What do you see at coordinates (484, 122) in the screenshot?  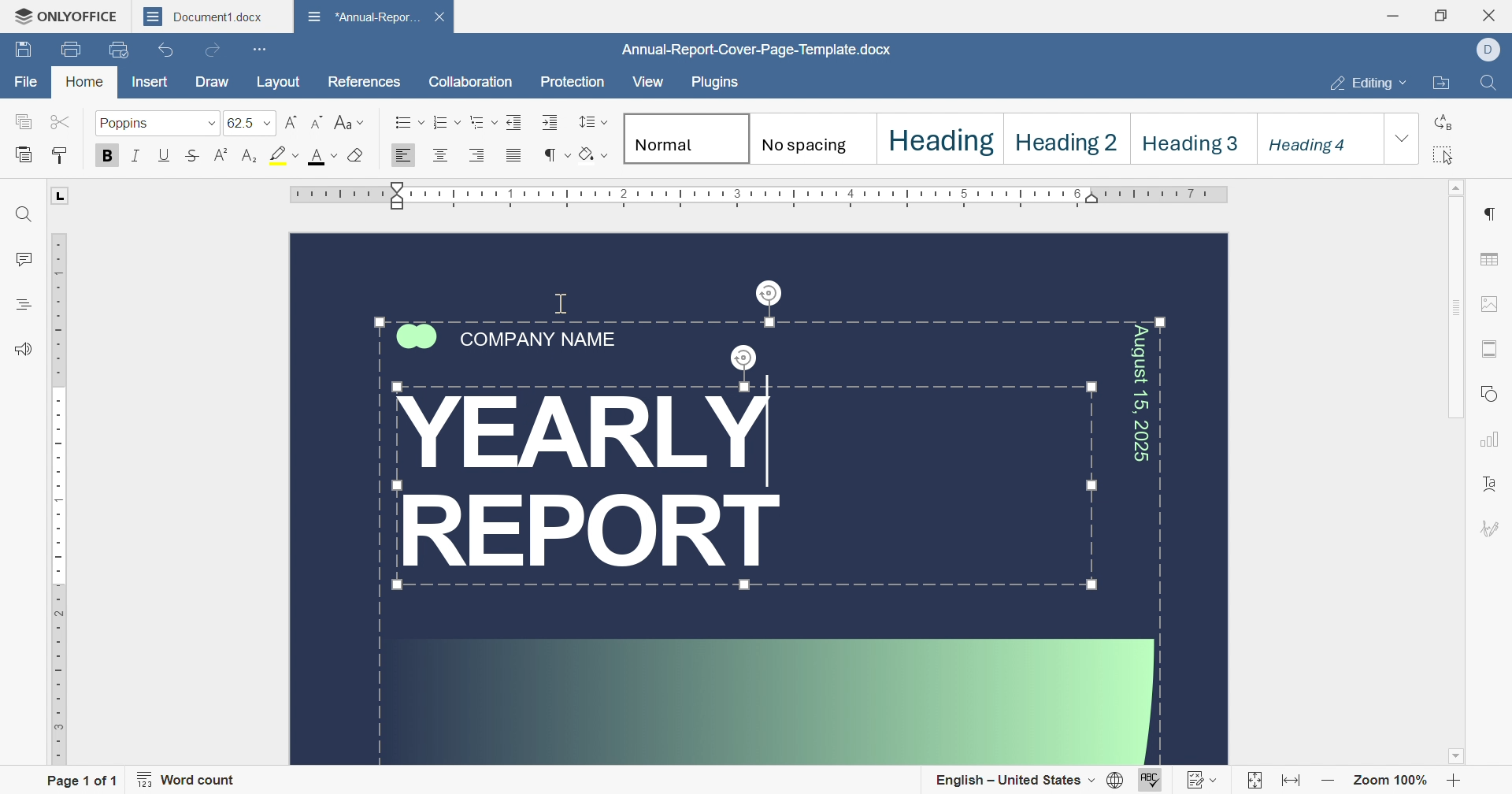 I see `multilevel list` at bounding box center [484, 122].